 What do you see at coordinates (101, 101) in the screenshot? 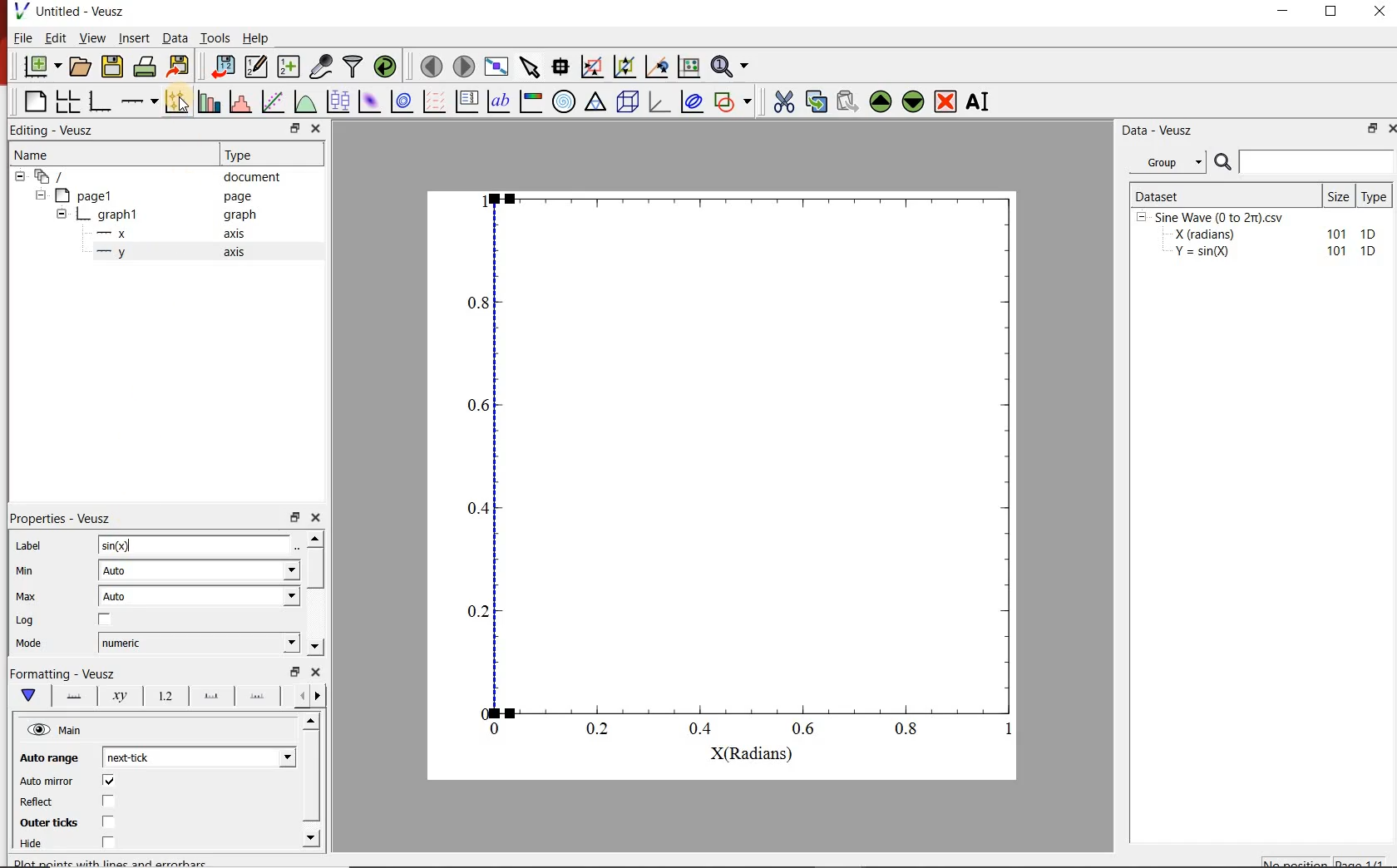
I see `Base graph` at bounding box center [101, 101].